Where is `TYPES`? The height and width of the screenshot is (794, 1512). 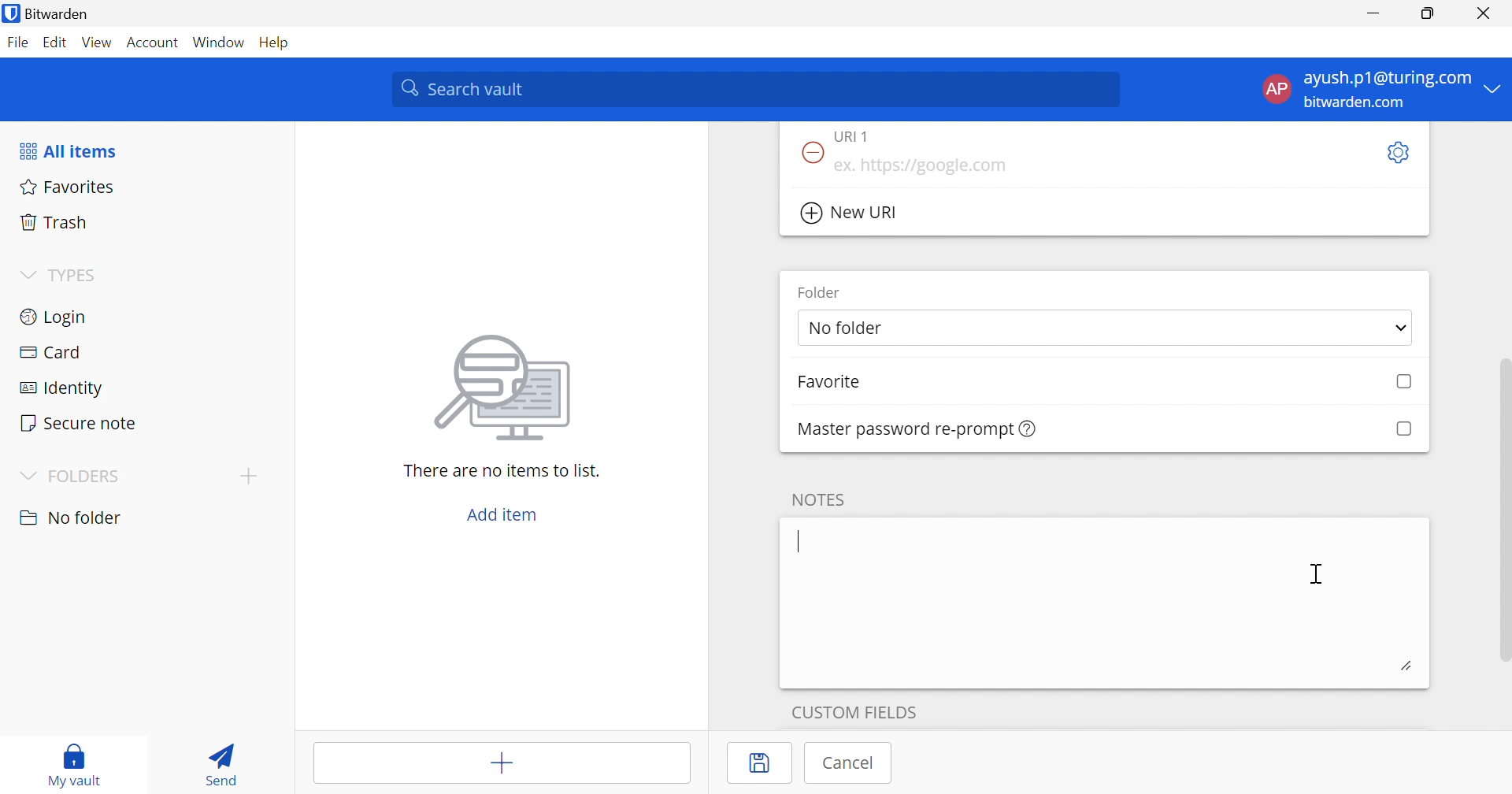 TYPES is located at coordinates (76, 278).